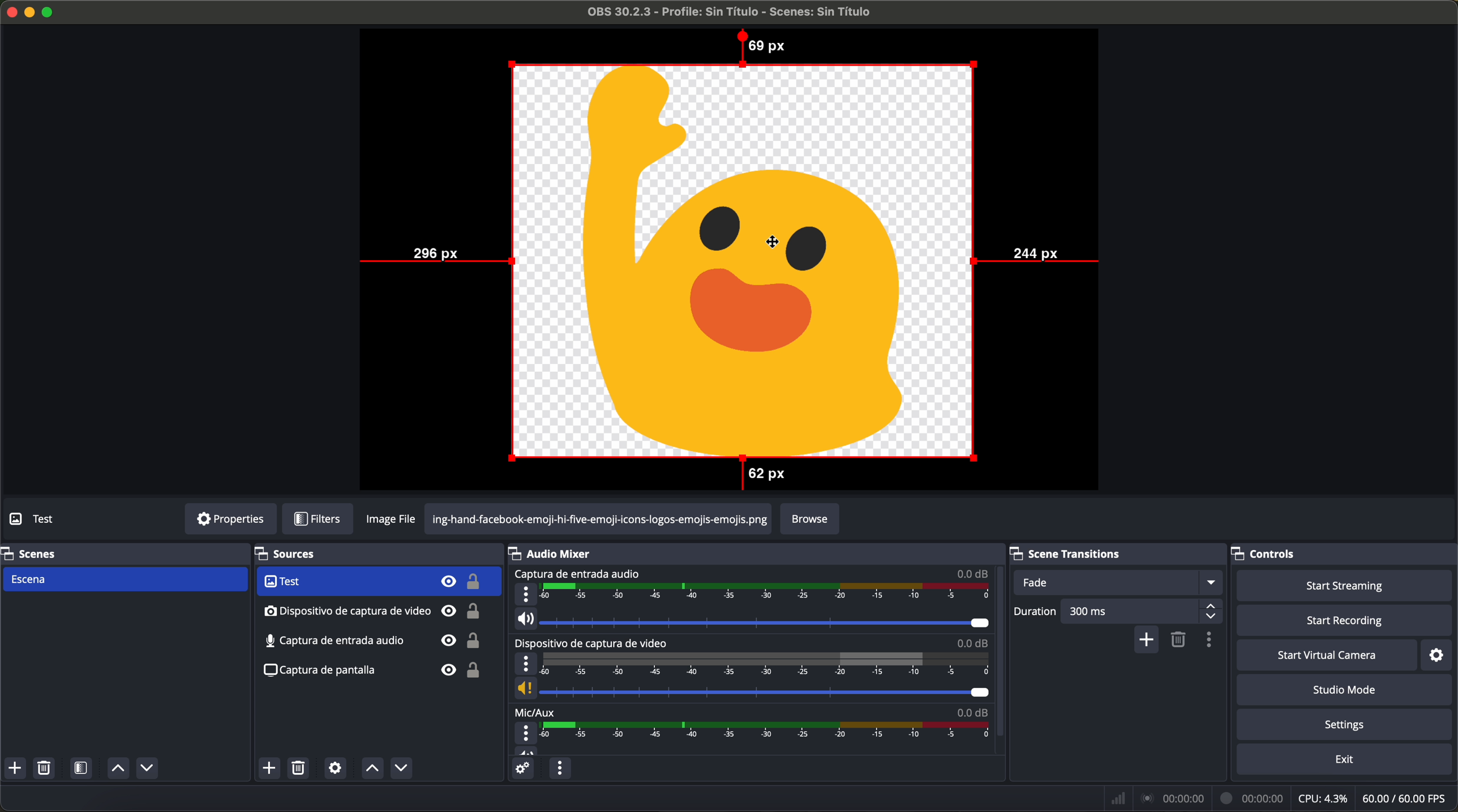 The height and width of the screenshot is (812, 1458). What do you see at coordinates (300, 555) in the screenshot?
I see `sources` at bounding box center [300, 555].